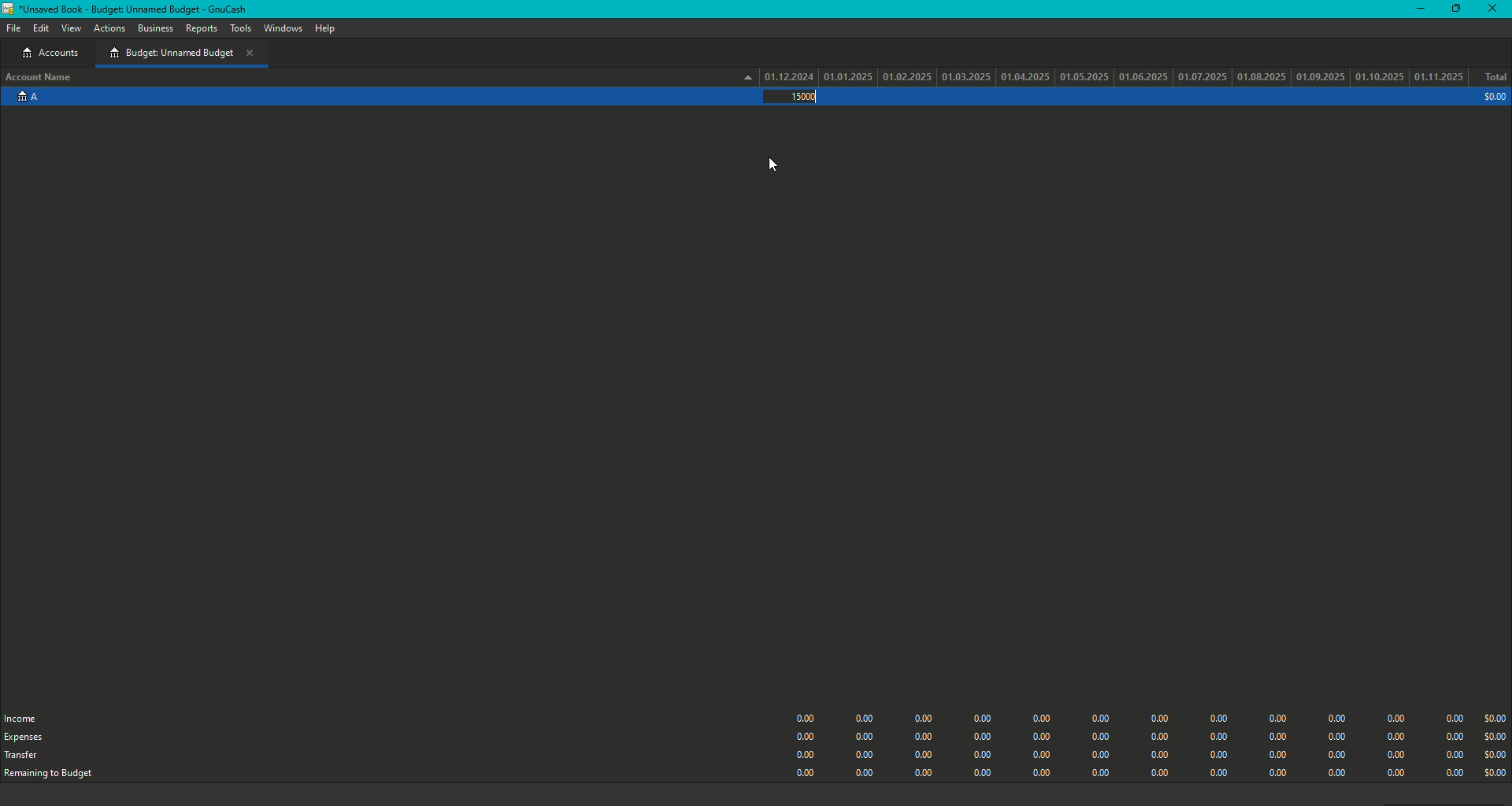 The height and width of the screenshot is (806, 1512). I want to click on File, so click(12, 28).